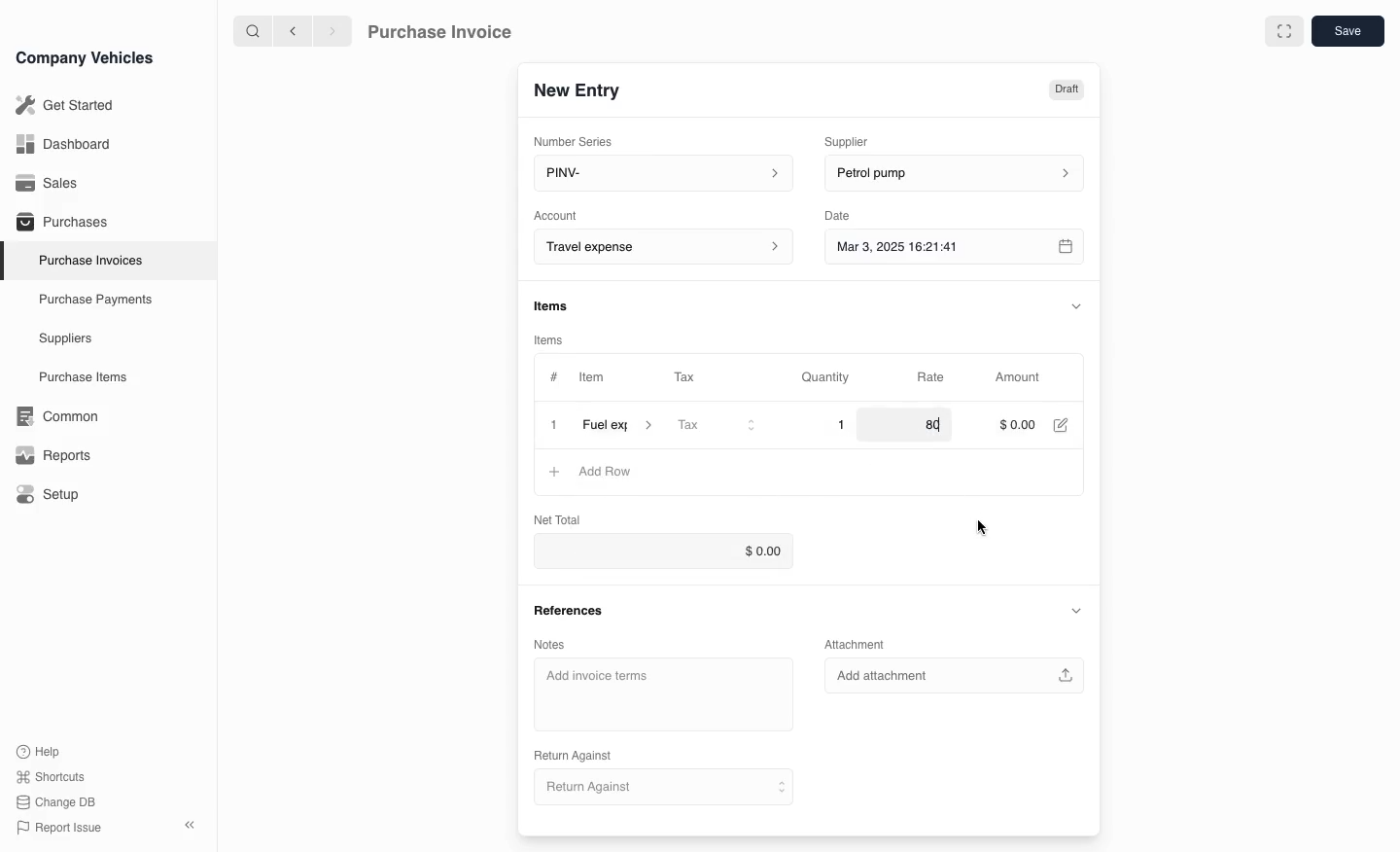  I want to click on References, so click(571, 610).